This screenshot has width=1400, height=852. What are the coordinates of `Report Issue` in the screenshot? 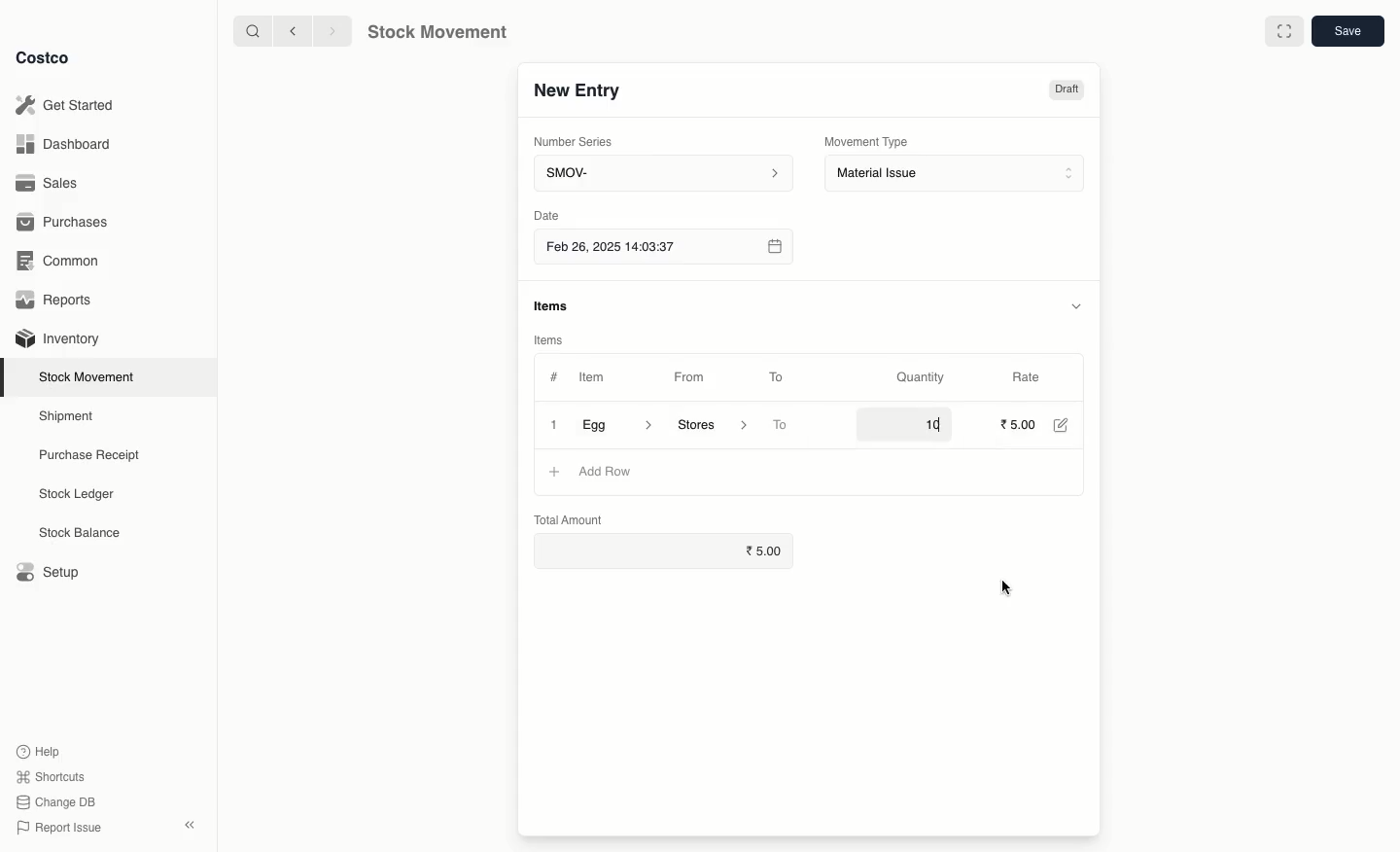 It's located at (61, 828).